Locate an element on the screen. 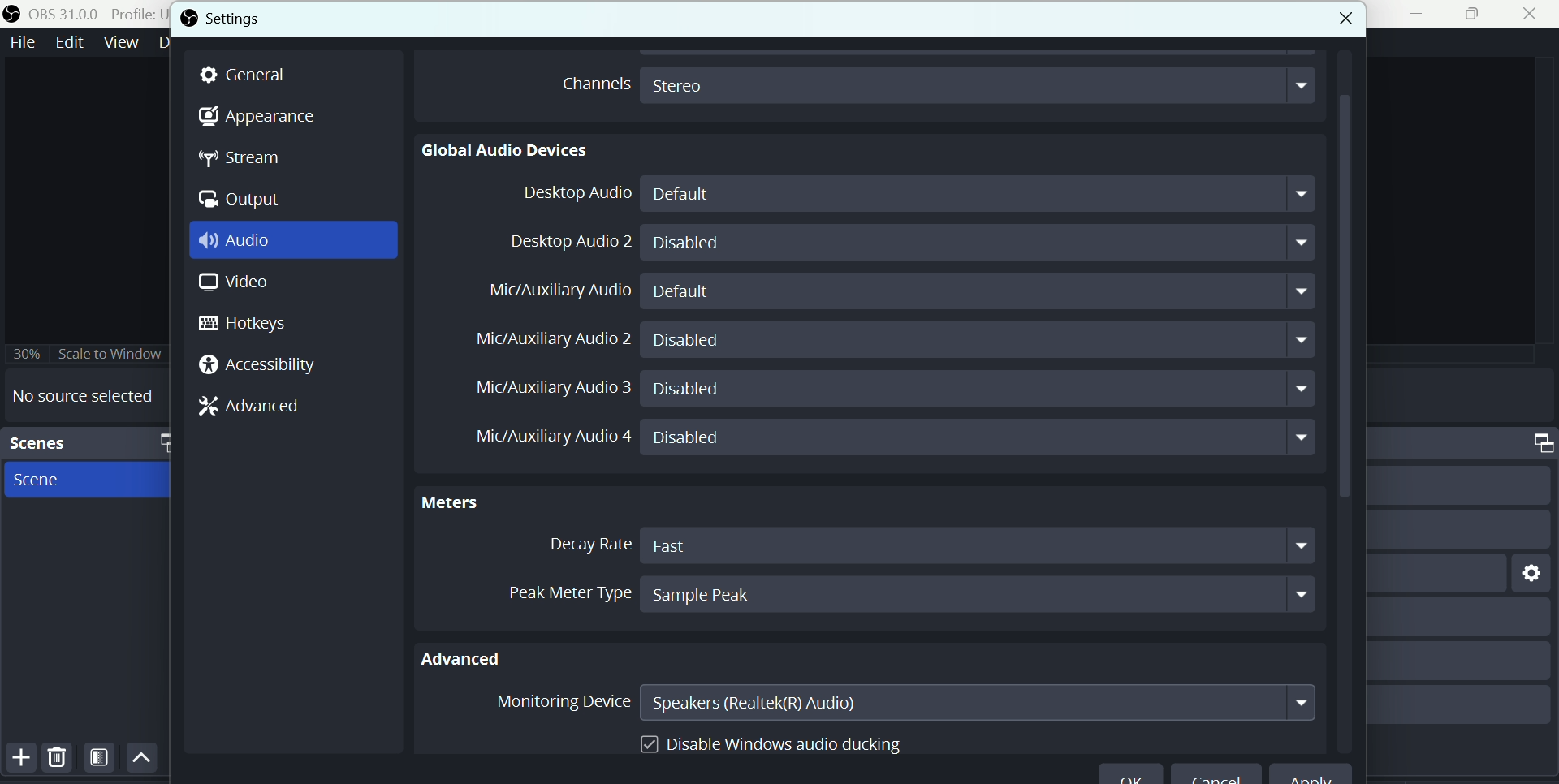 This screenshot has height=784, width=1559. OBS 31.0 .0 profile untitled seen new scene is located at coordinates (96, 13).